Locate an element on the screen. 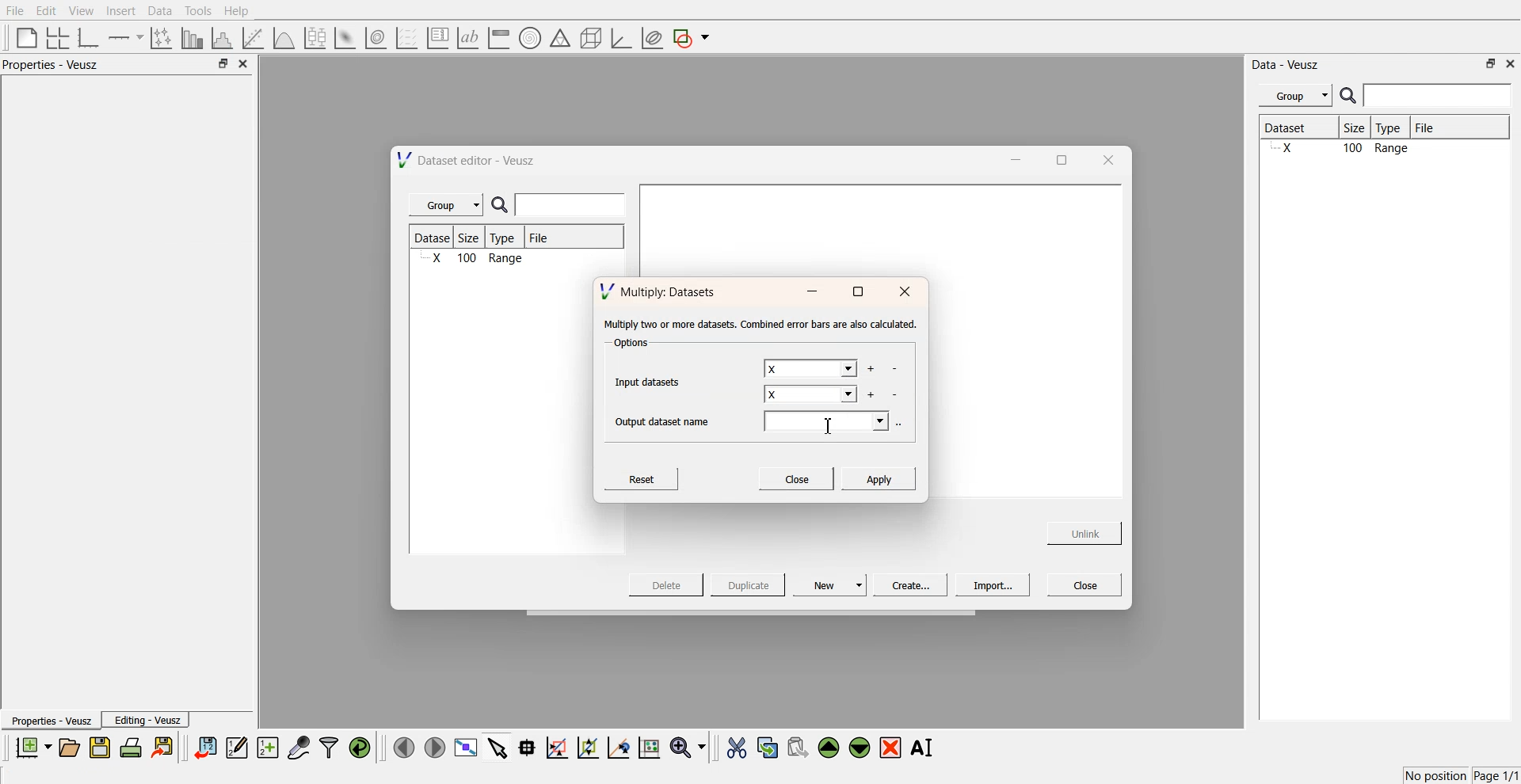 The height and width of the screenshot is (784, 1521). arrange graphs is located at coordinates (55, 37).